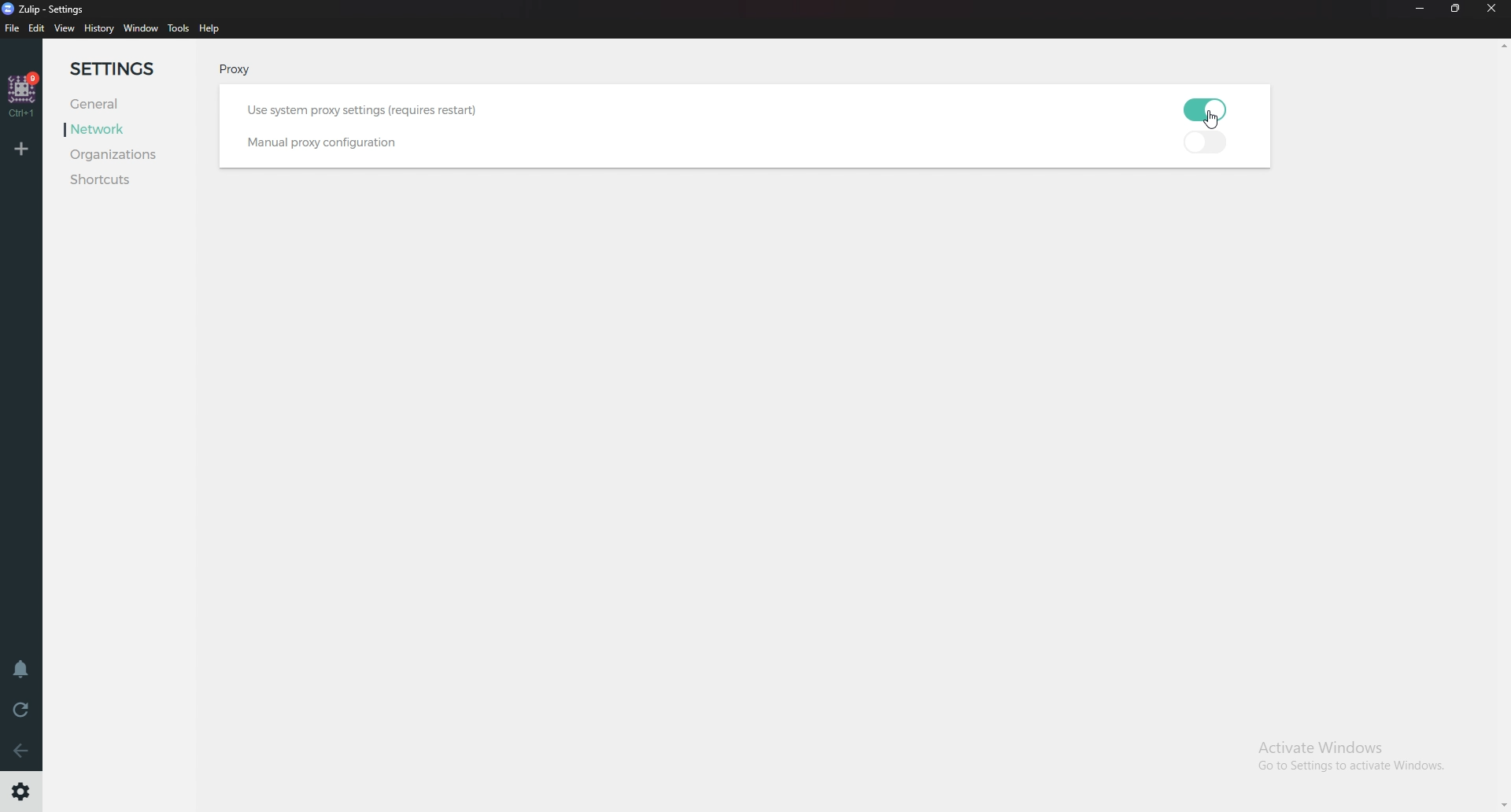 Image resolution: width=1511 pixels, height=812 pixels. Describe the element at coordinates (18, 750) in the screenshot. I see `Back` at that location.